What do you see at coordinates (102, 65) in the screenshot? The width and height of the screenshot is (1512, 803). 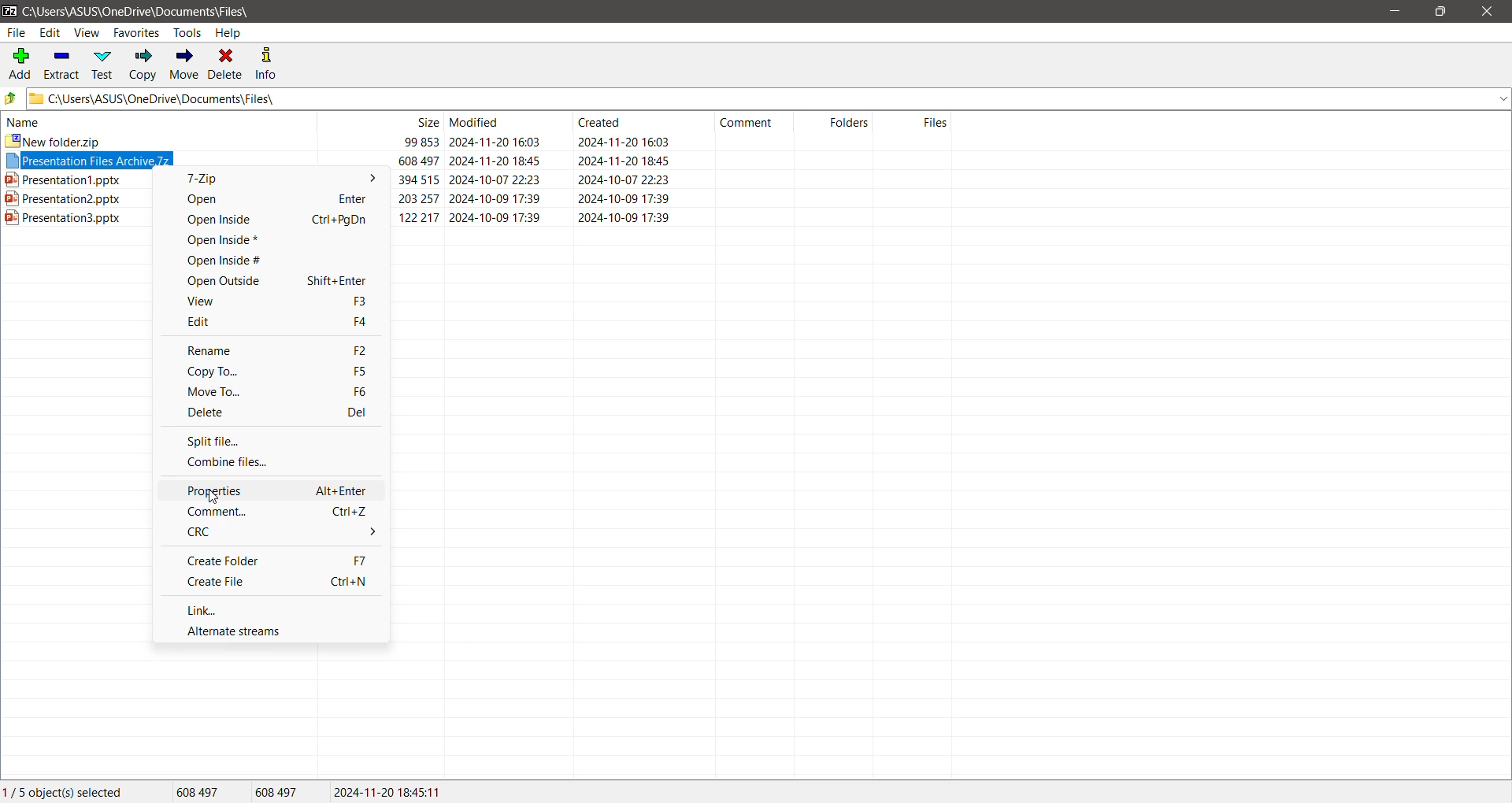 I see `Test` at bounding box center [102, 65].